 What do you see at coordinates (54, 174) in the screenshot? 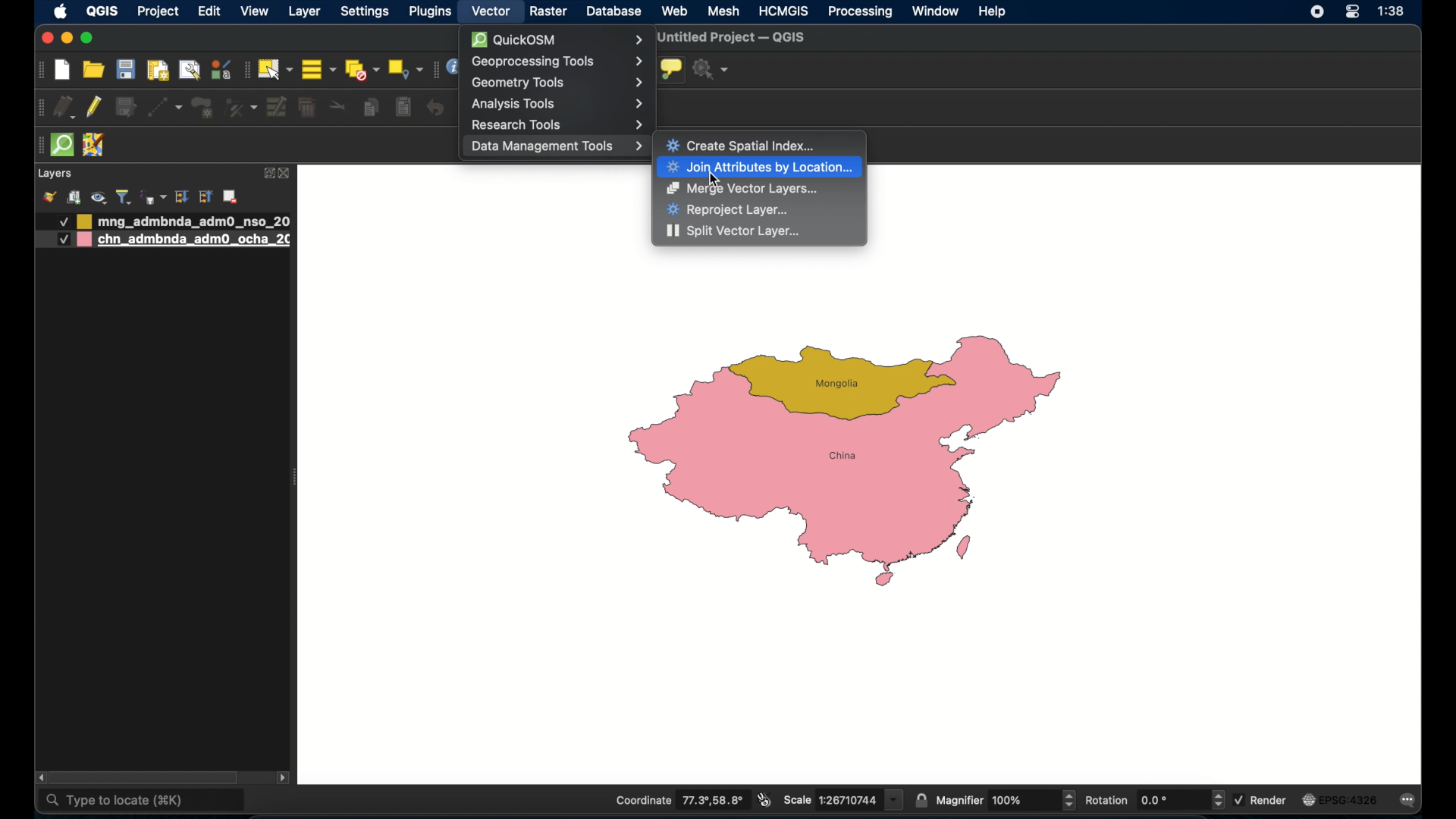
I see `layers` at bounding box center [54, 174].